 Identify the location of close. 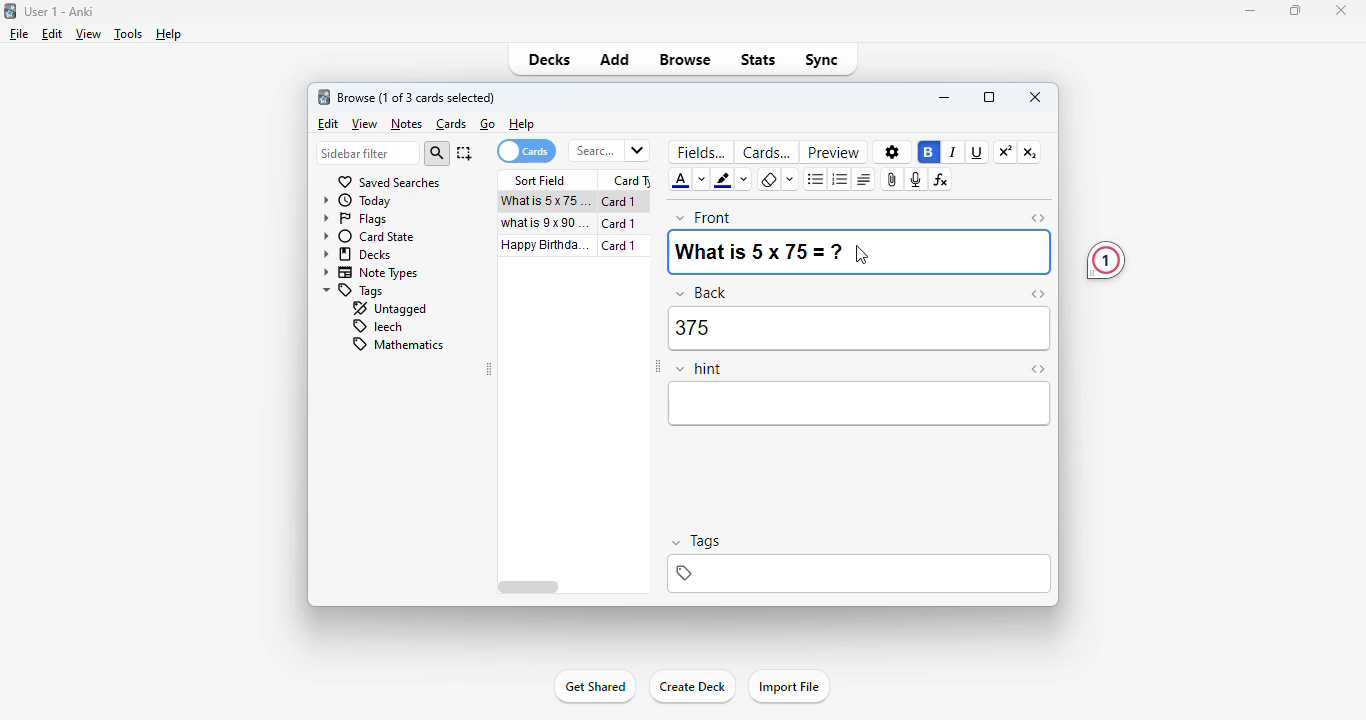
(1035, 98).